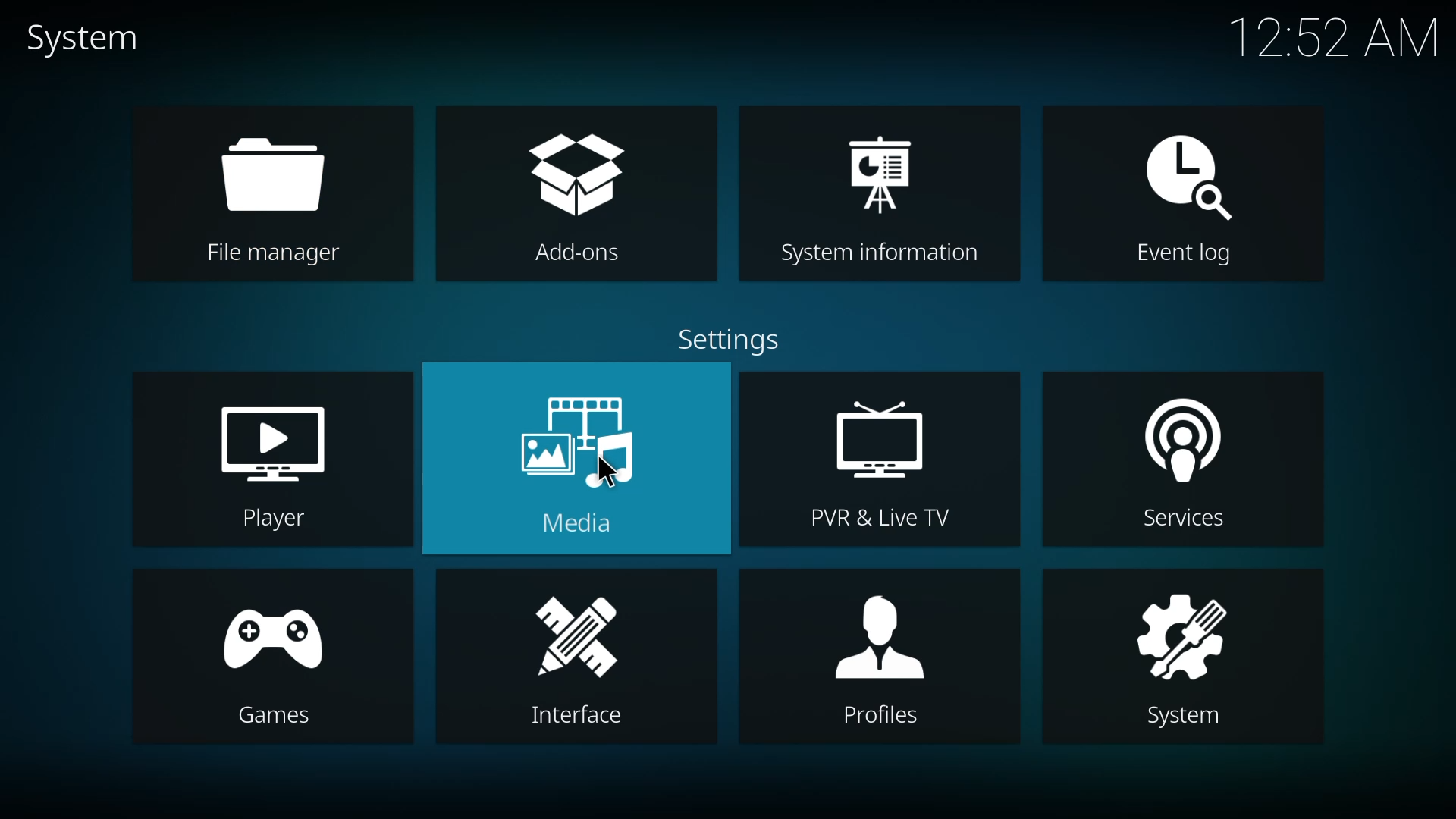 This screenshot has width=1456, height=819. Describe the element at coordinates (1181, 719) in the screenshot. I see `System` at that location.